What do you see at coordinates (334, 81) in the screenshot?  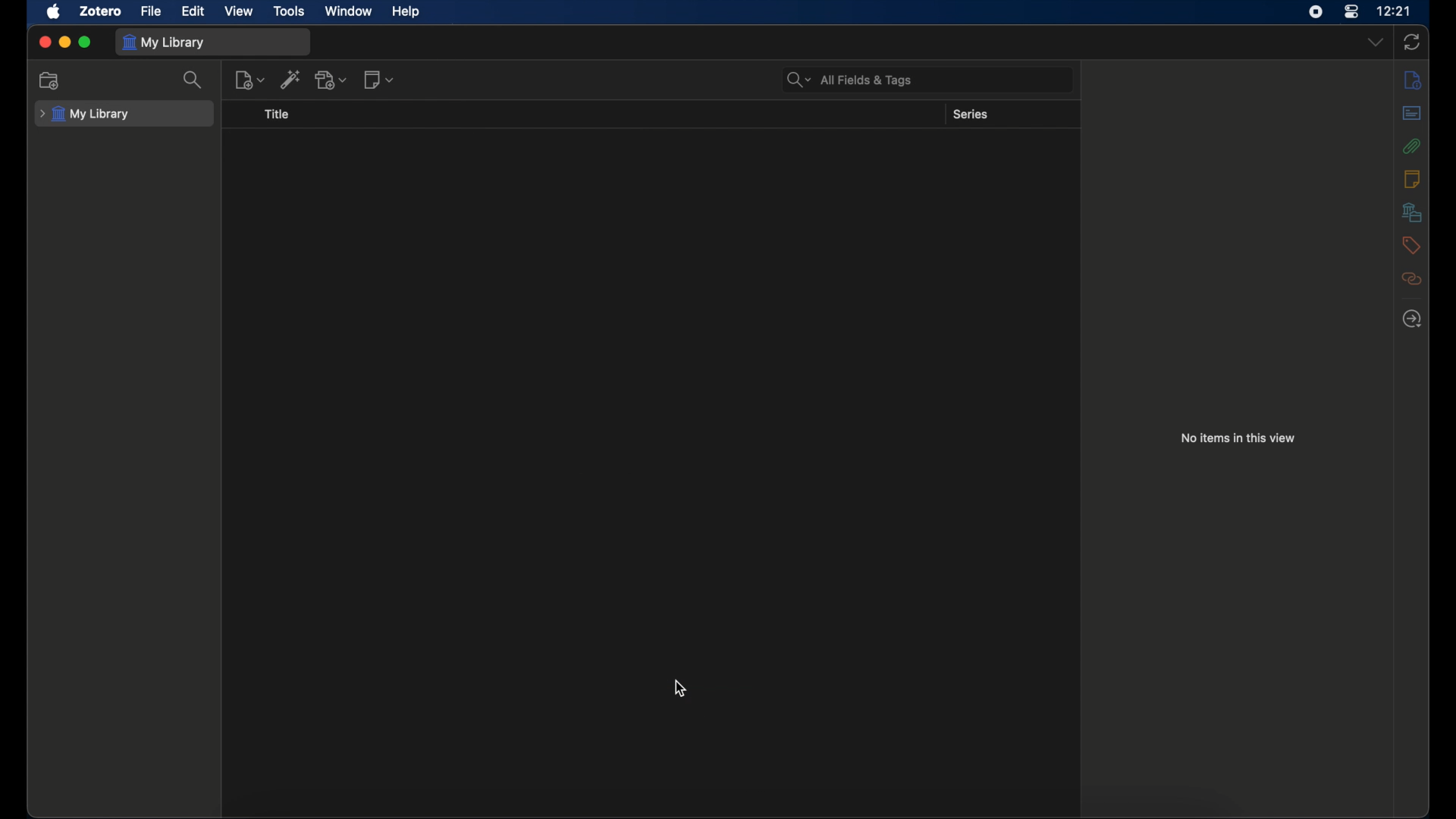 I see `add attachments` at bounding box center [334, 81].